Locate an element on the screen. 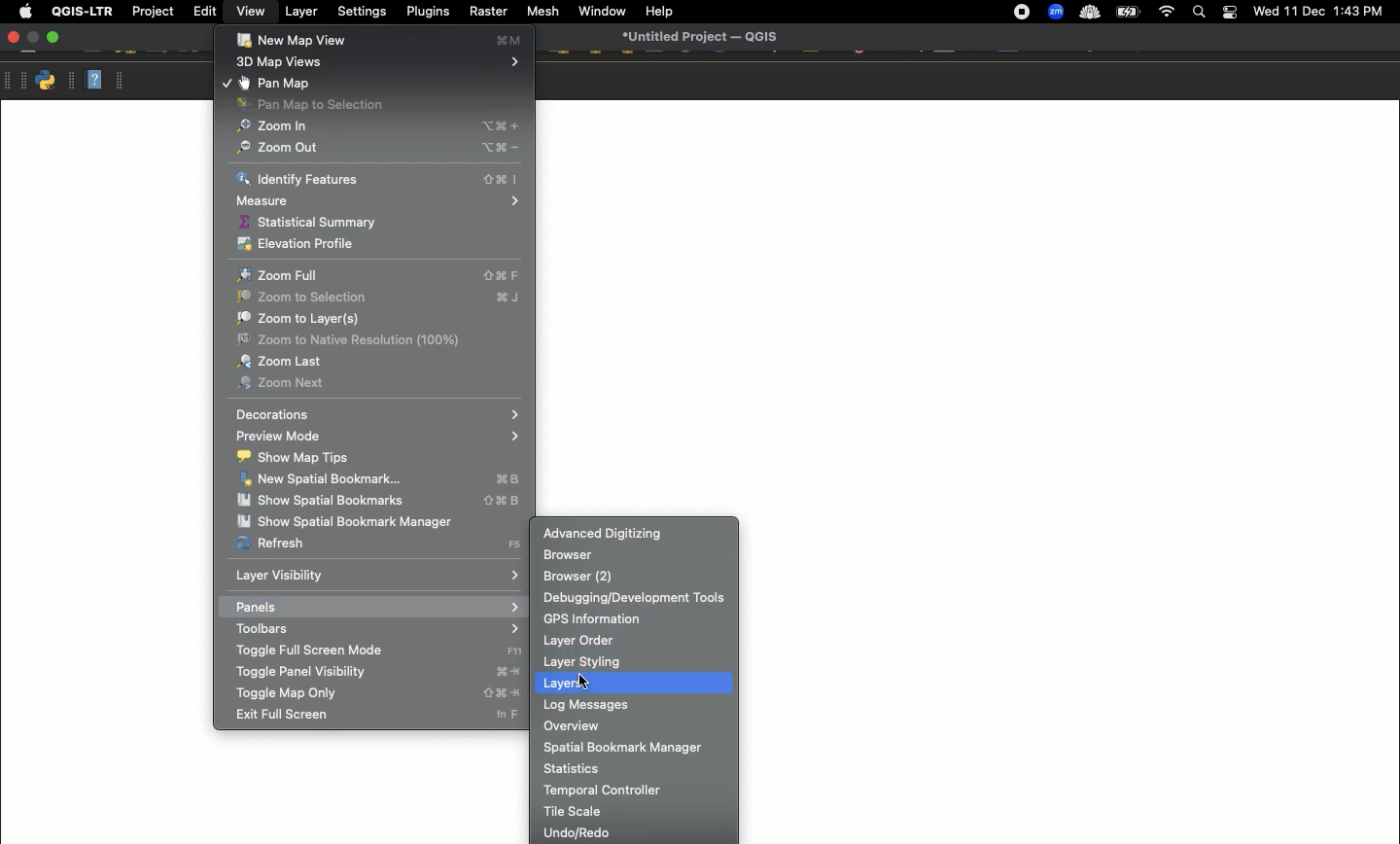 This screenshot has width=1400, height=844. Notification is located at coordinates (1227, 13).